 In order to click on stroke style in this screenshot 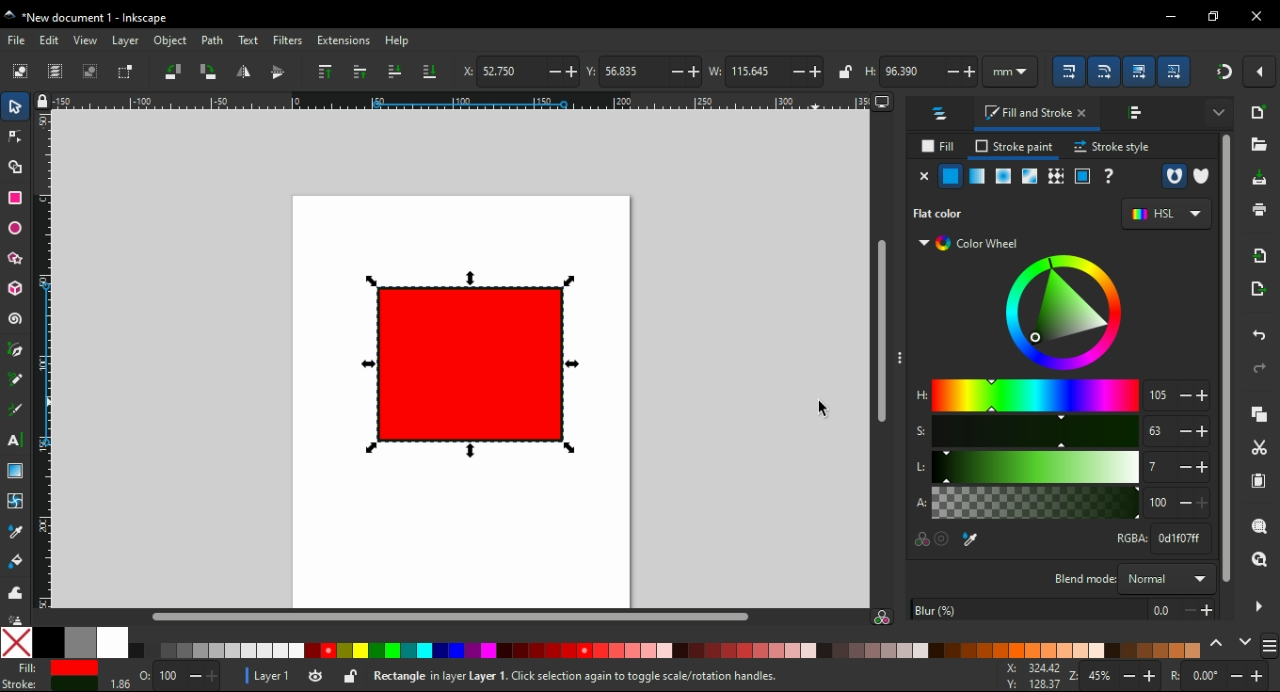, I will do `click(1111, 147)`.